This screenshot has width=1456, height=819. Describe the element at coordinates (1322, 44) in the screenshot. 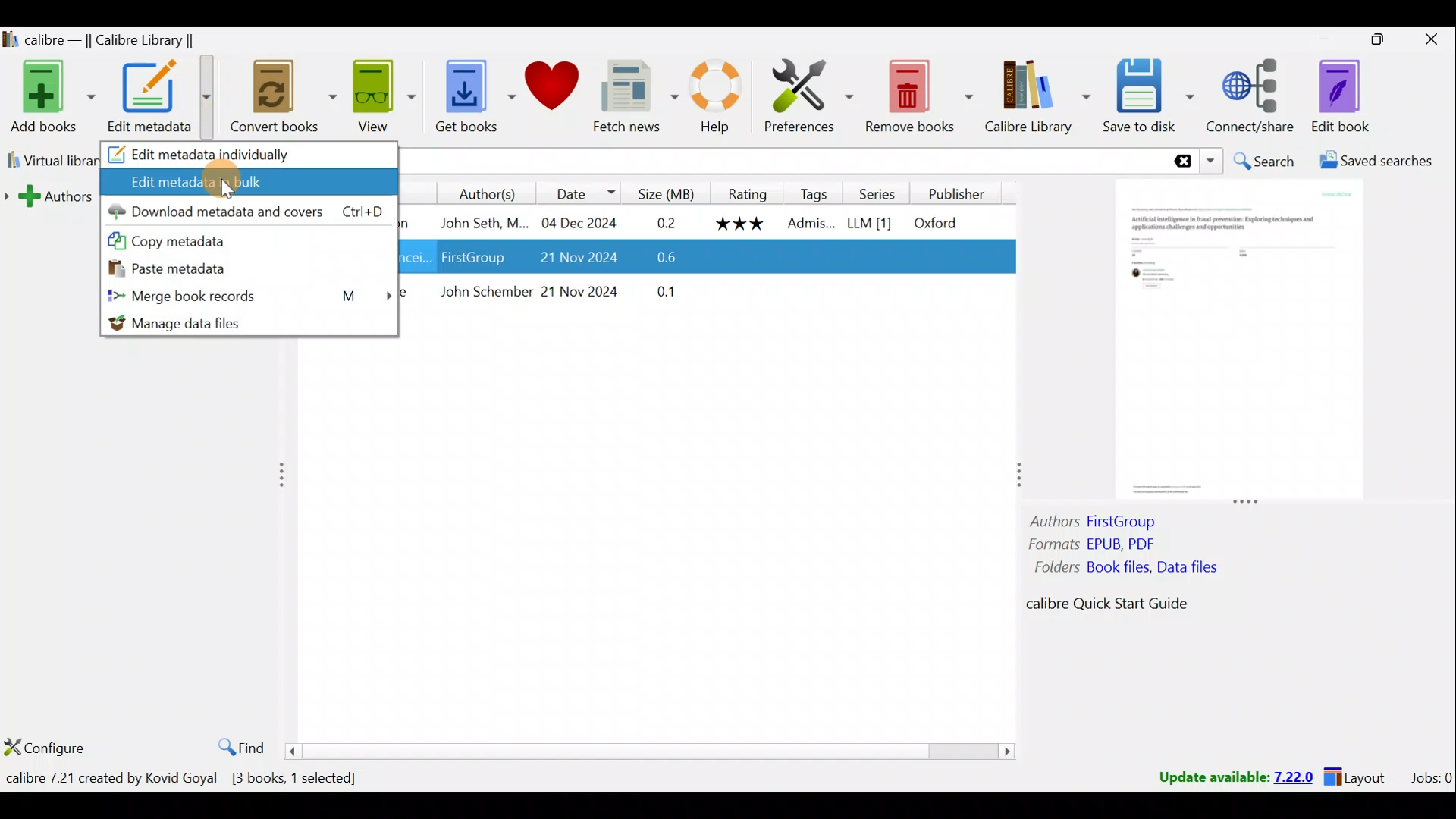

I see `Minimise` at that location.